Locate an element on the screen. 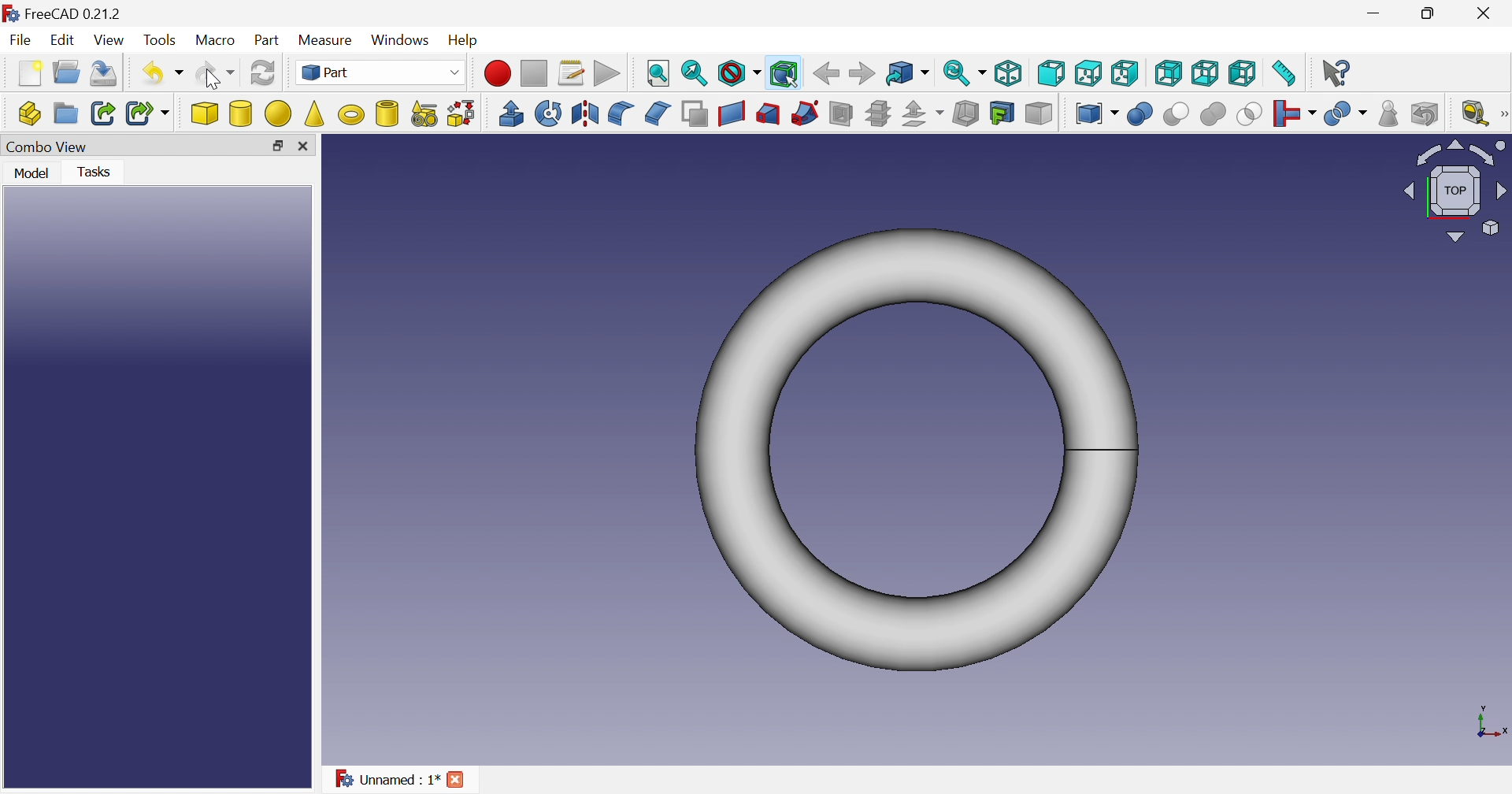 The height and width of the screenshot is (794, 1512). FreeCAD 0.21.2 is located at coordinates (63, 13).